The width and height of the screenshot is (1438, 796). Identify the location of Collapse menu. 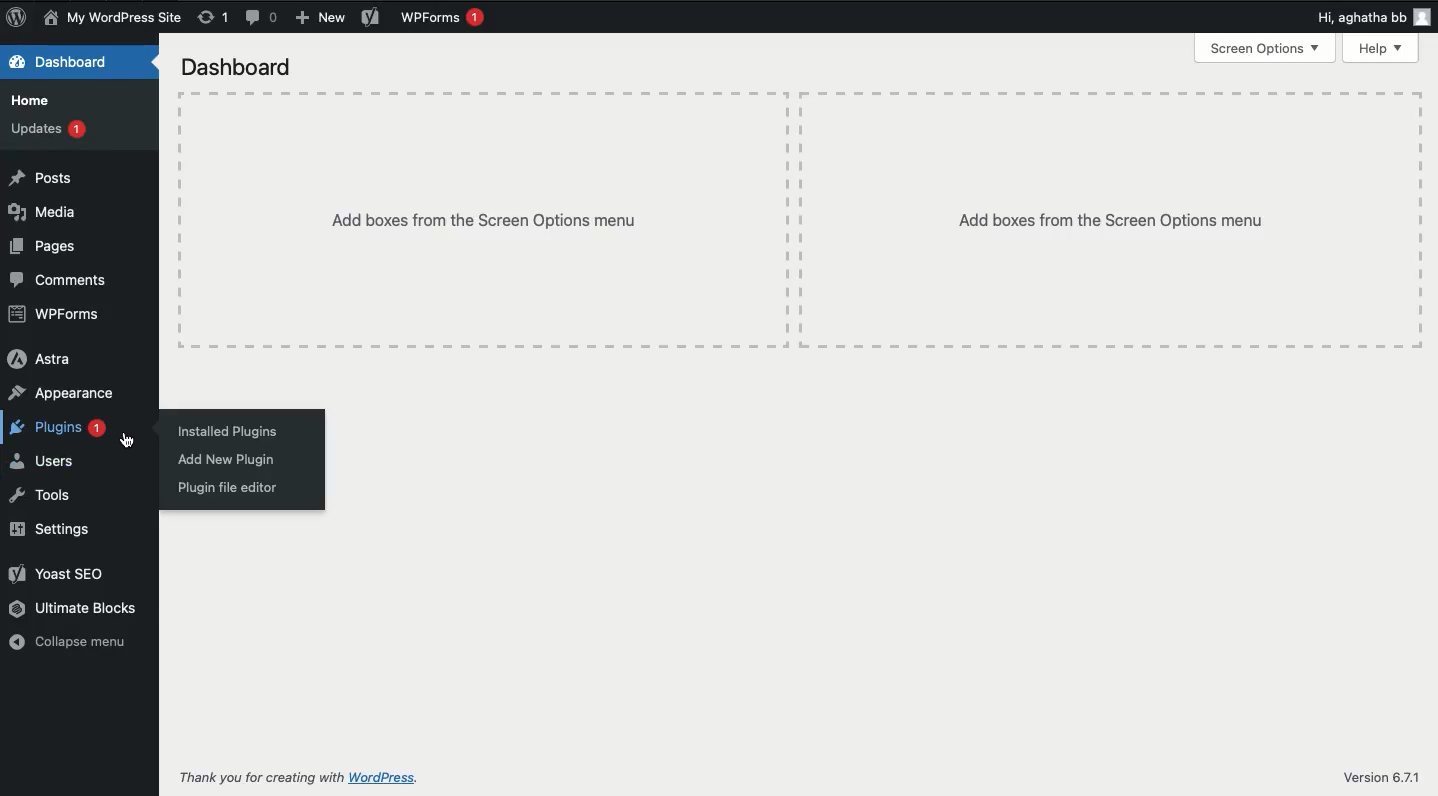
(75, 641).